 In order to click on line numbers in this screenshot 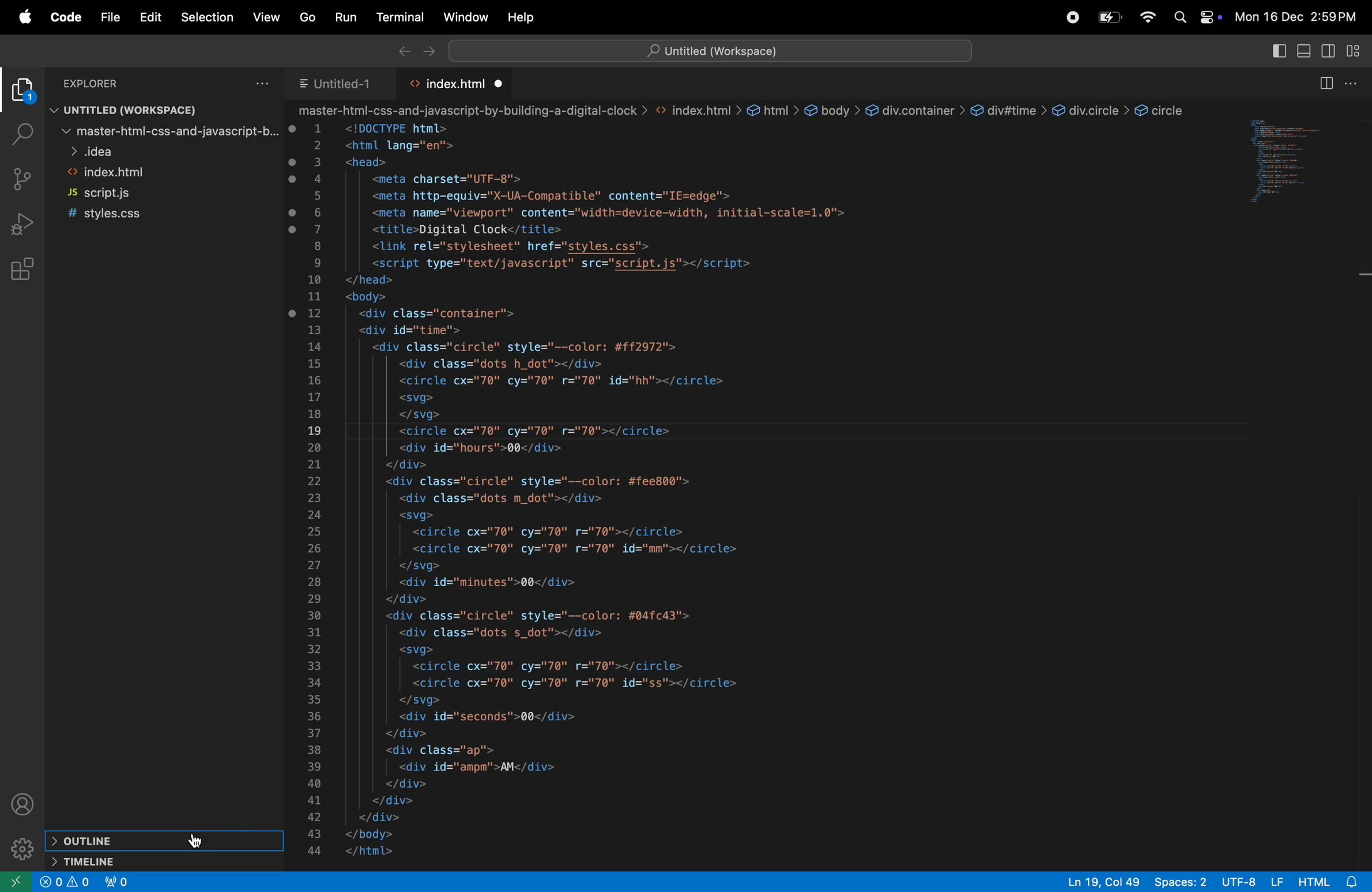, I will do `click(316, 493)`.